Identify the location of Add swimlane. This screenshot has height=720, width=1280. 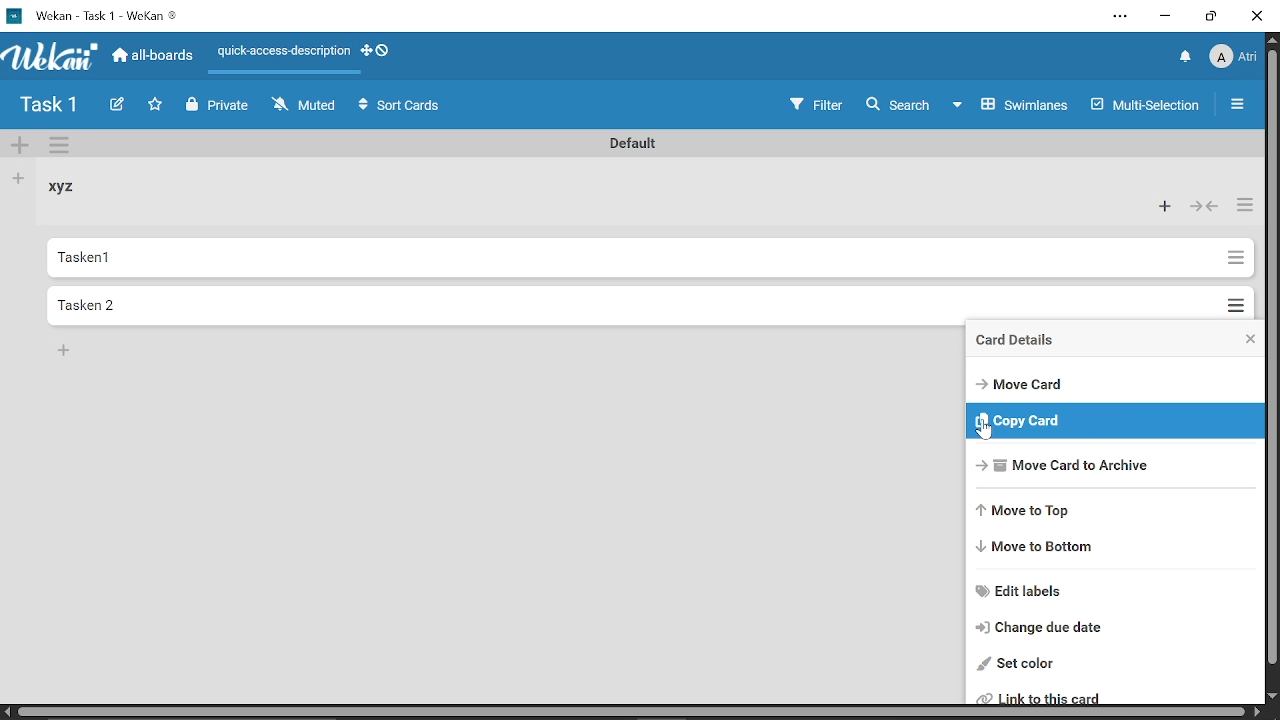
(20, 147).